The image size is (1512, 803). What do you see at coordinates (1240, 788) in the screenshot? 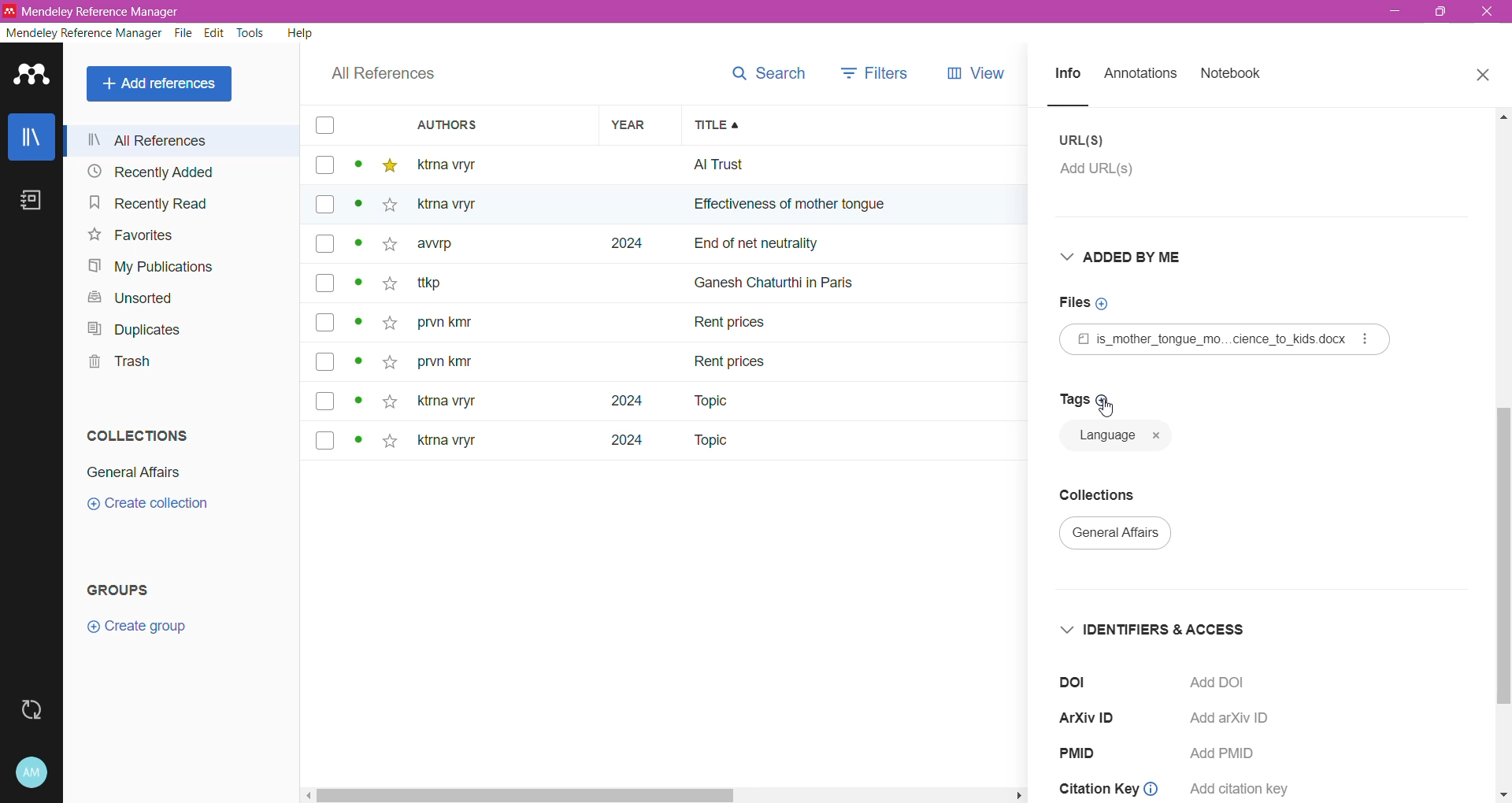
I see `add citation key ` at bounding box center [1240, 788].